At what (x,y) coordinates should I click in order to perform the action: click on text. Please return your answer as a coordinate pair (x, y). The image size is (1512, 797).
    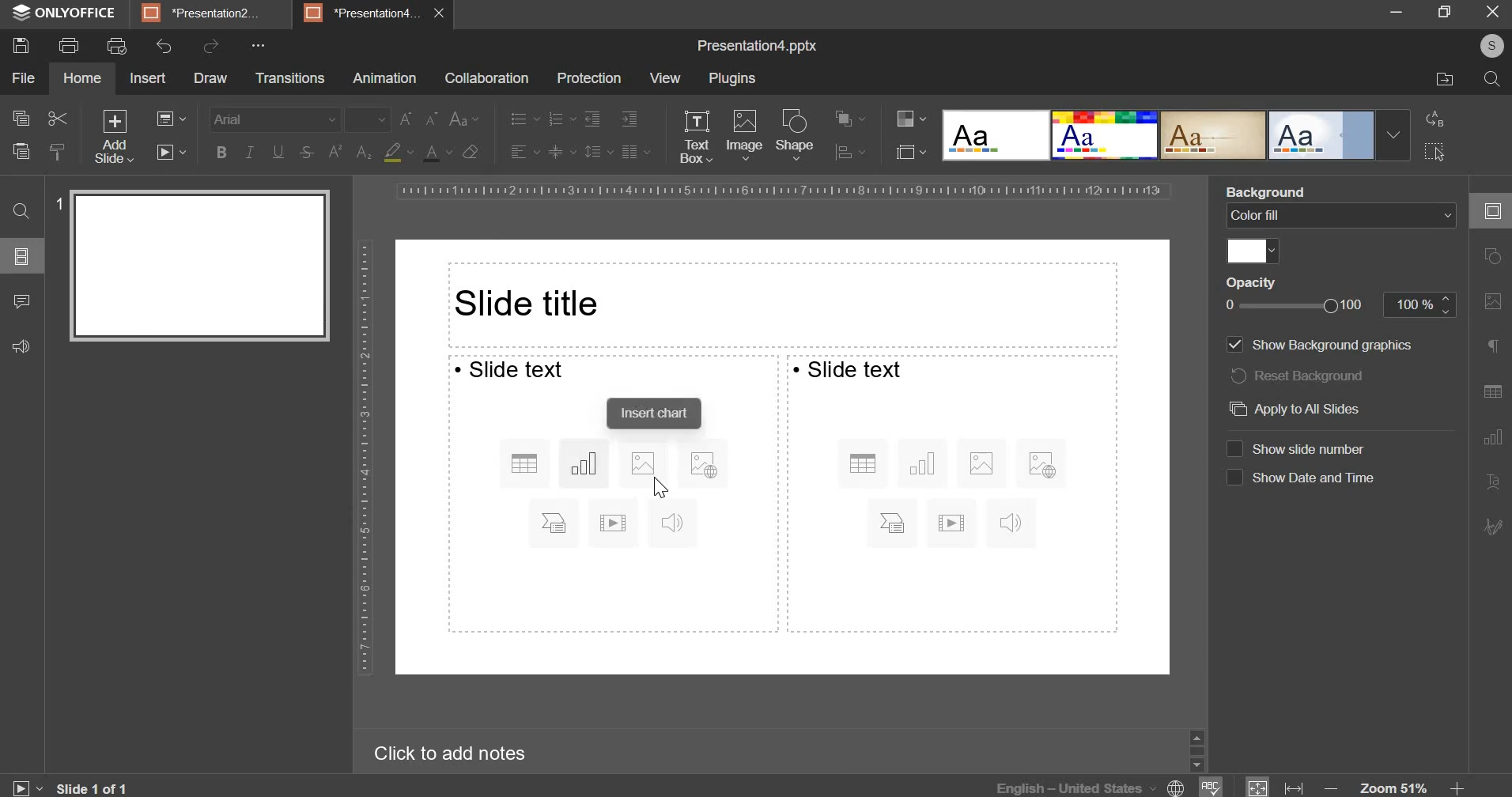
    Looking at the image, I should click on (848, 369).